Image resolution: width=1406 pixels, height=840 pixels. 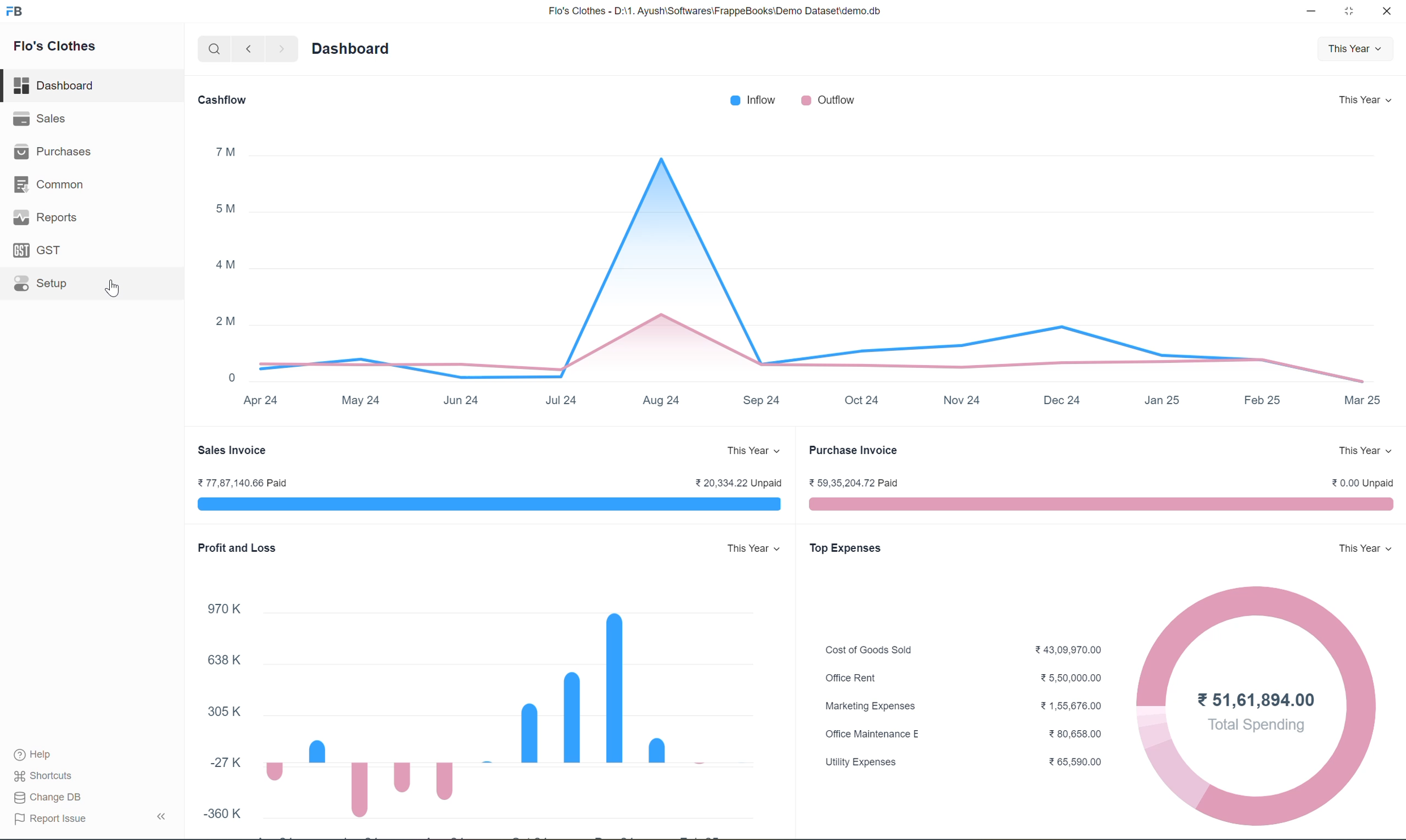 What do you see at coordinates (1365, 549) in the screenshot?
I see `This Year ` at bounding box center [1365, 549].